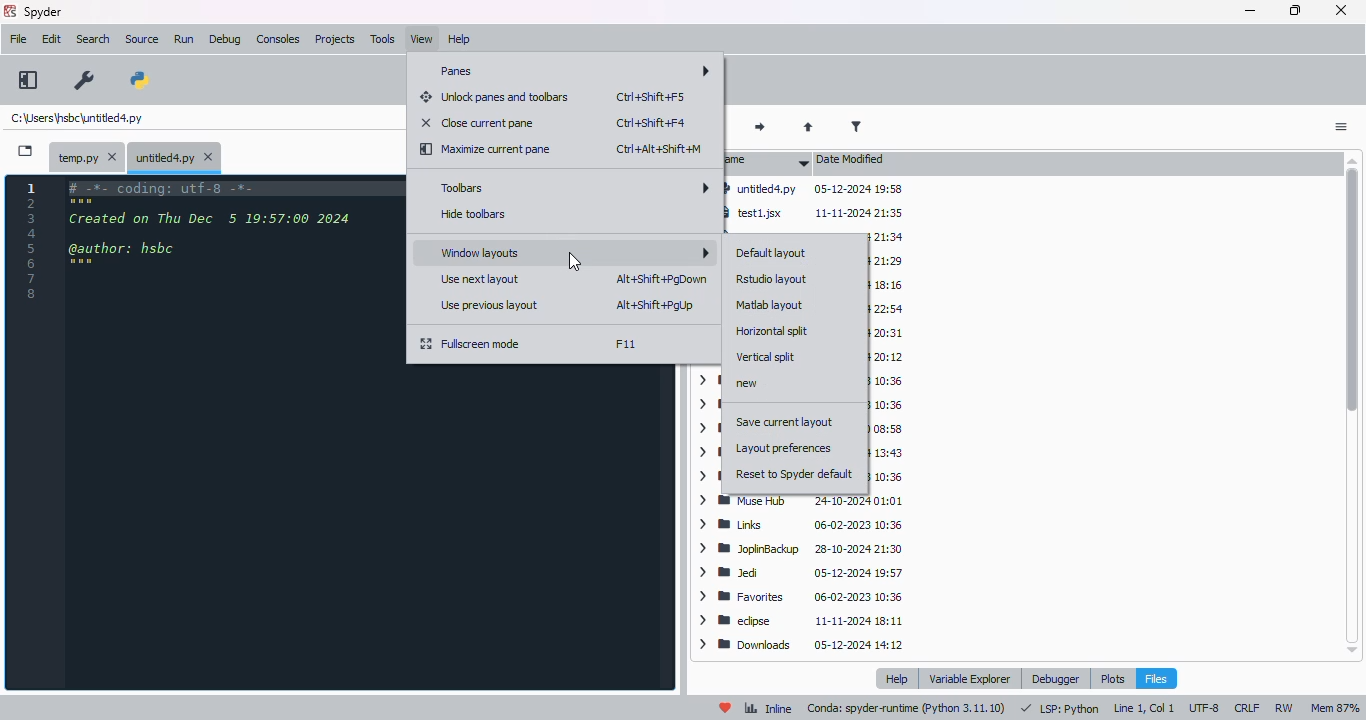 The width and height of the screenshot is (1366, 720). What do you see at coordinates (475, 214) in the screenshot?
I see `hide toolbars` at bounding box center [475, 214].